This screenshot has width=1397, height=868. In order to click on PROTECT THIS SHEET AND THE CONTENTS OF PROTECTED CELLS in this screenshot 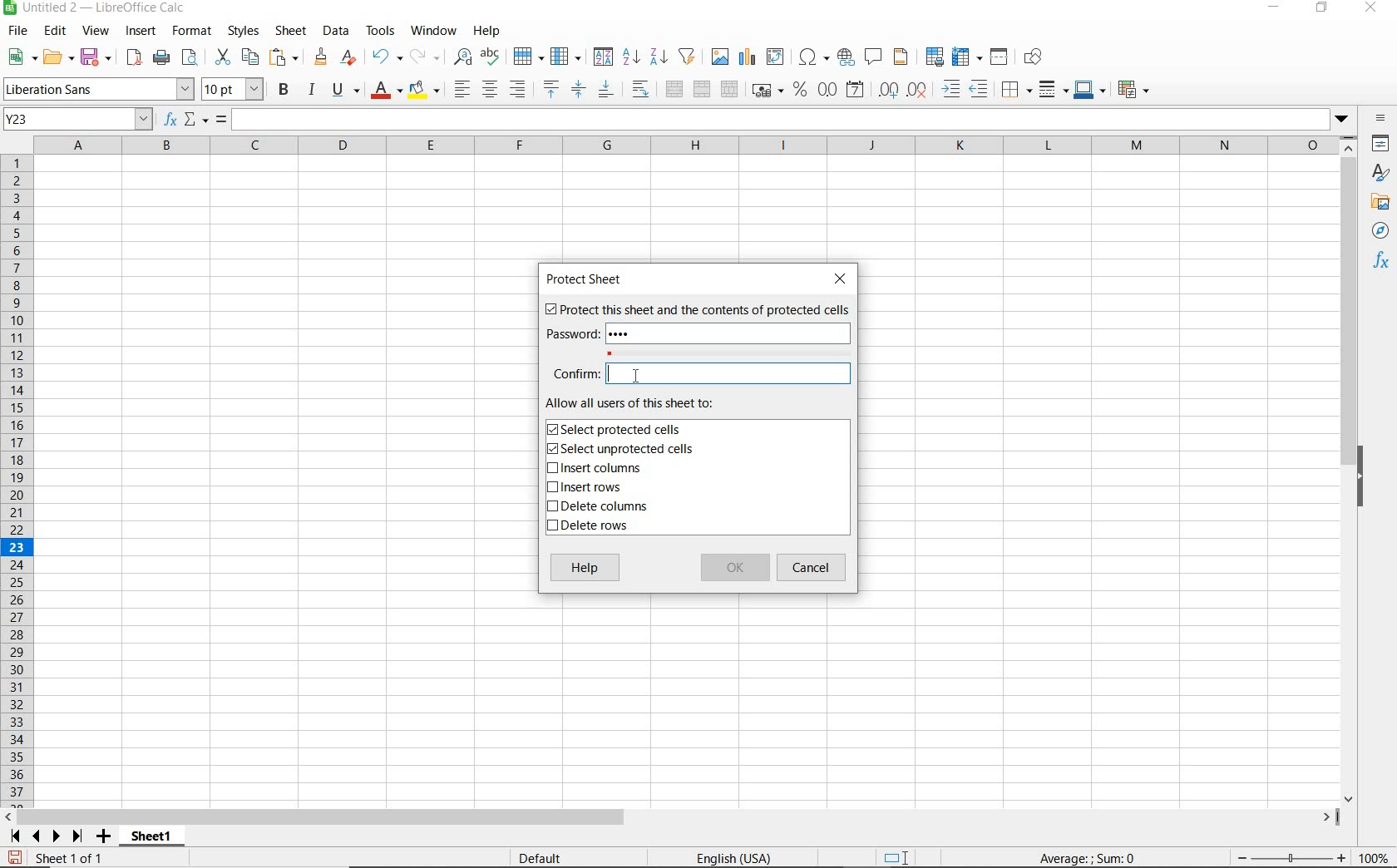, I will do `click(696, 311)`.